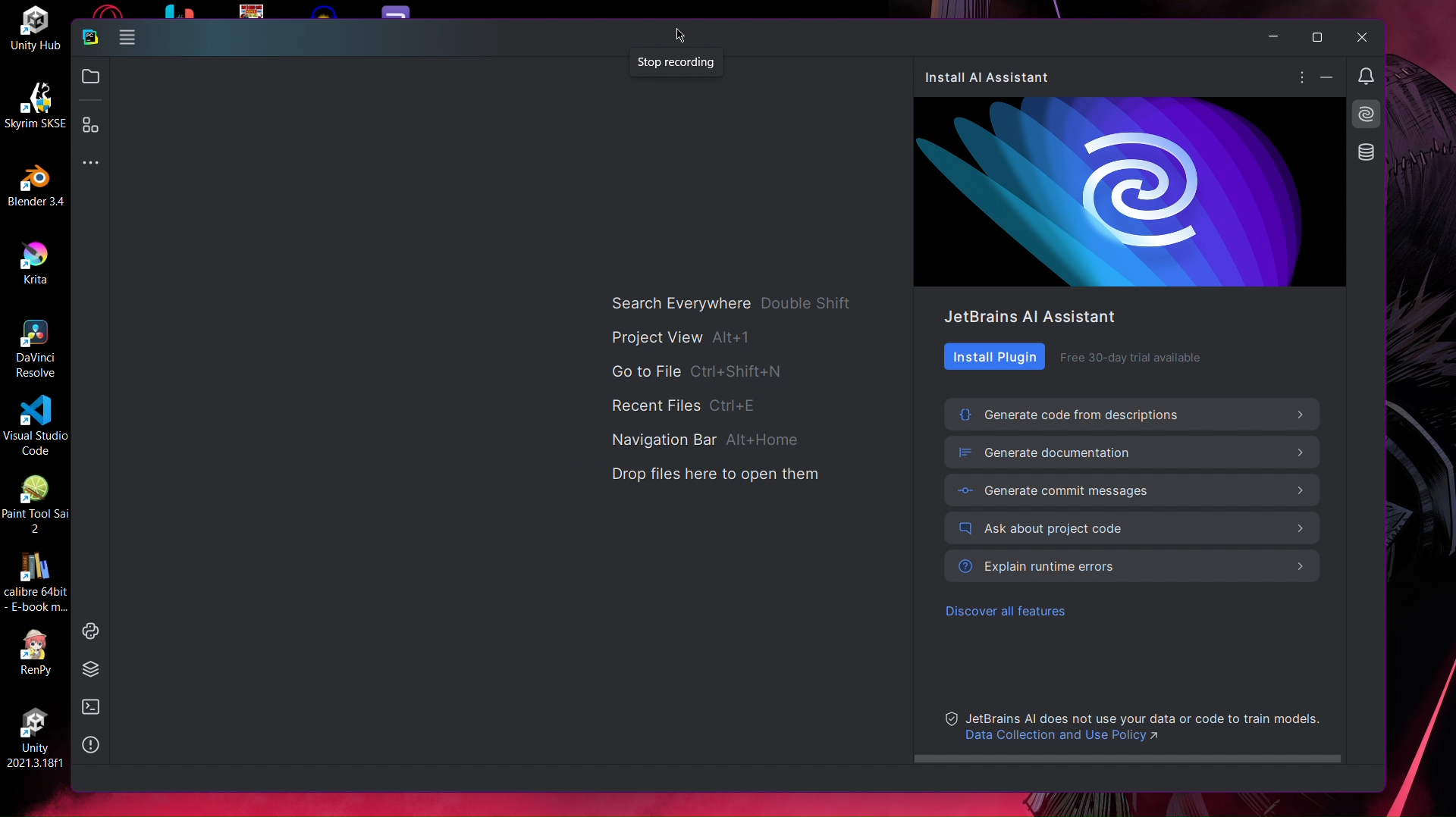 The height and width of the screenshot is (817, 1456). Describe the element at coordinates (1010, 614) in the screenshot. I see `Discover all features` at that location.